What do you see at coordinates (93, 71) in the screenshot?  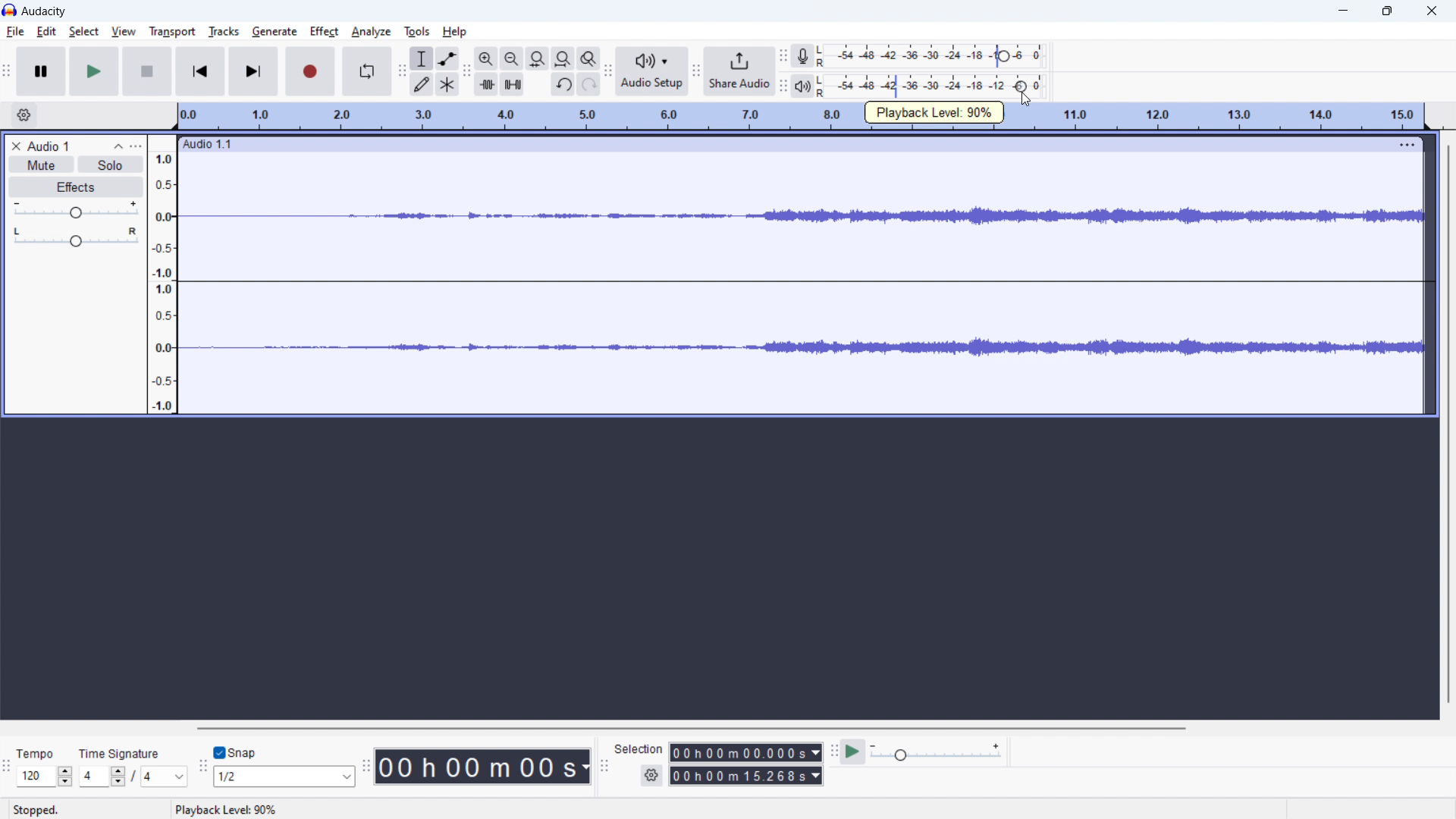 I see `play` at bounding box center [93, 71].